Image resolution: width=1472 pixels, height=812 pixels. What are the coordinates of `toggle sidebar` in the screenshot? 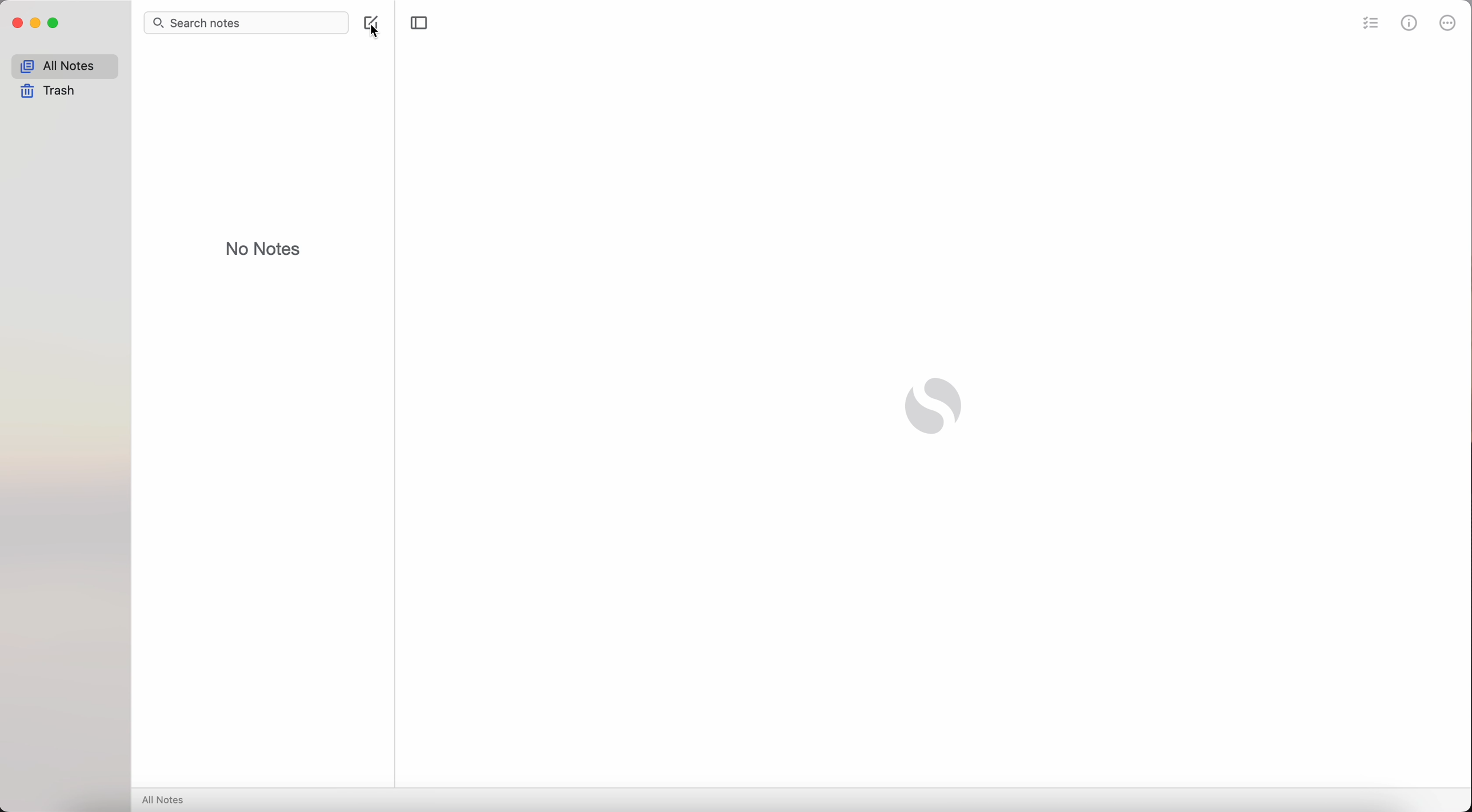 It's located at (419, 23).